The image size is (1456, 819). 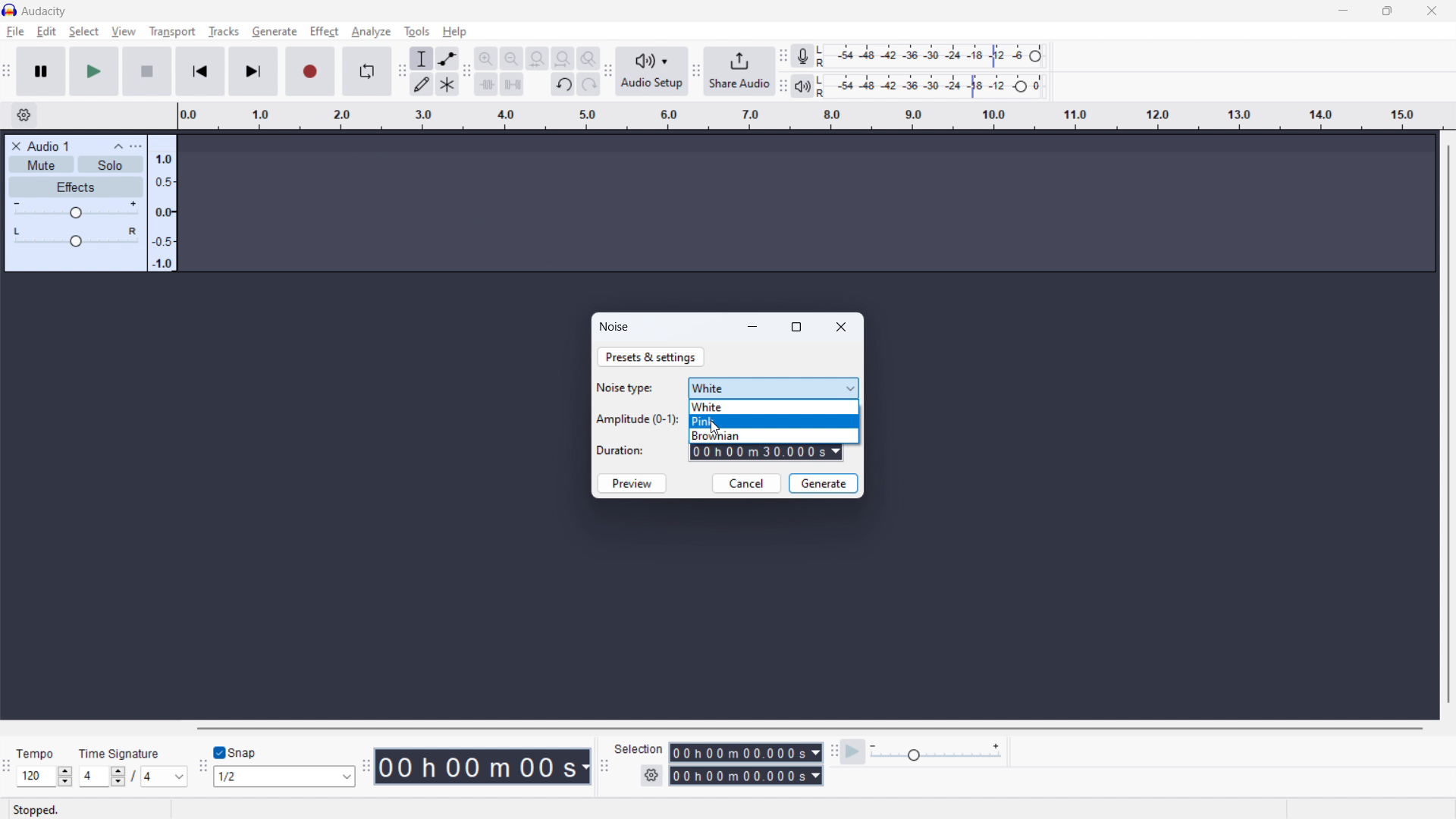 I want to click on pause, so click(x=41, y=71).